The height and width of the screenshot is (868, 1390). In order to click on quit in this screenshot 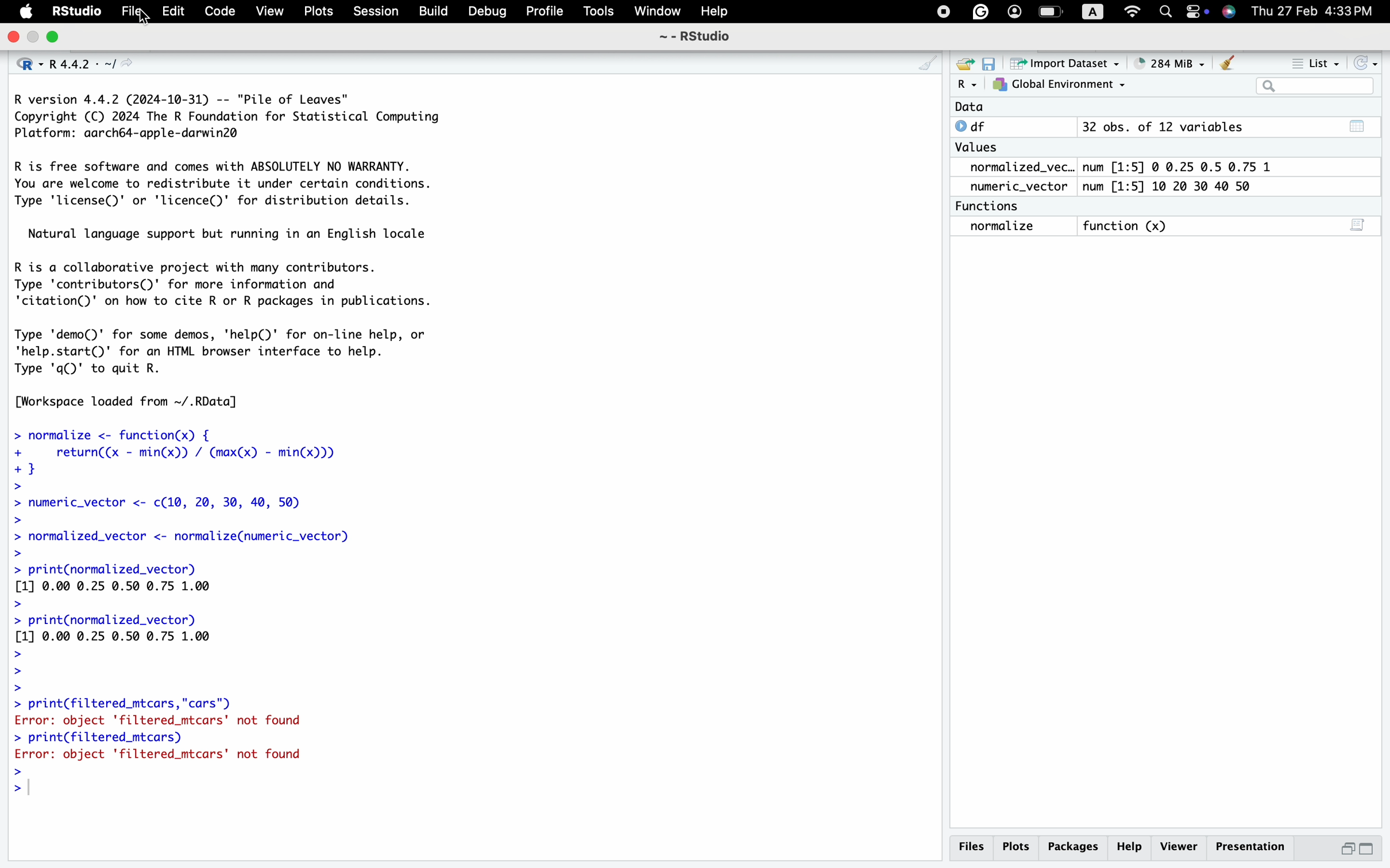, I will do `click(15, 39)`.